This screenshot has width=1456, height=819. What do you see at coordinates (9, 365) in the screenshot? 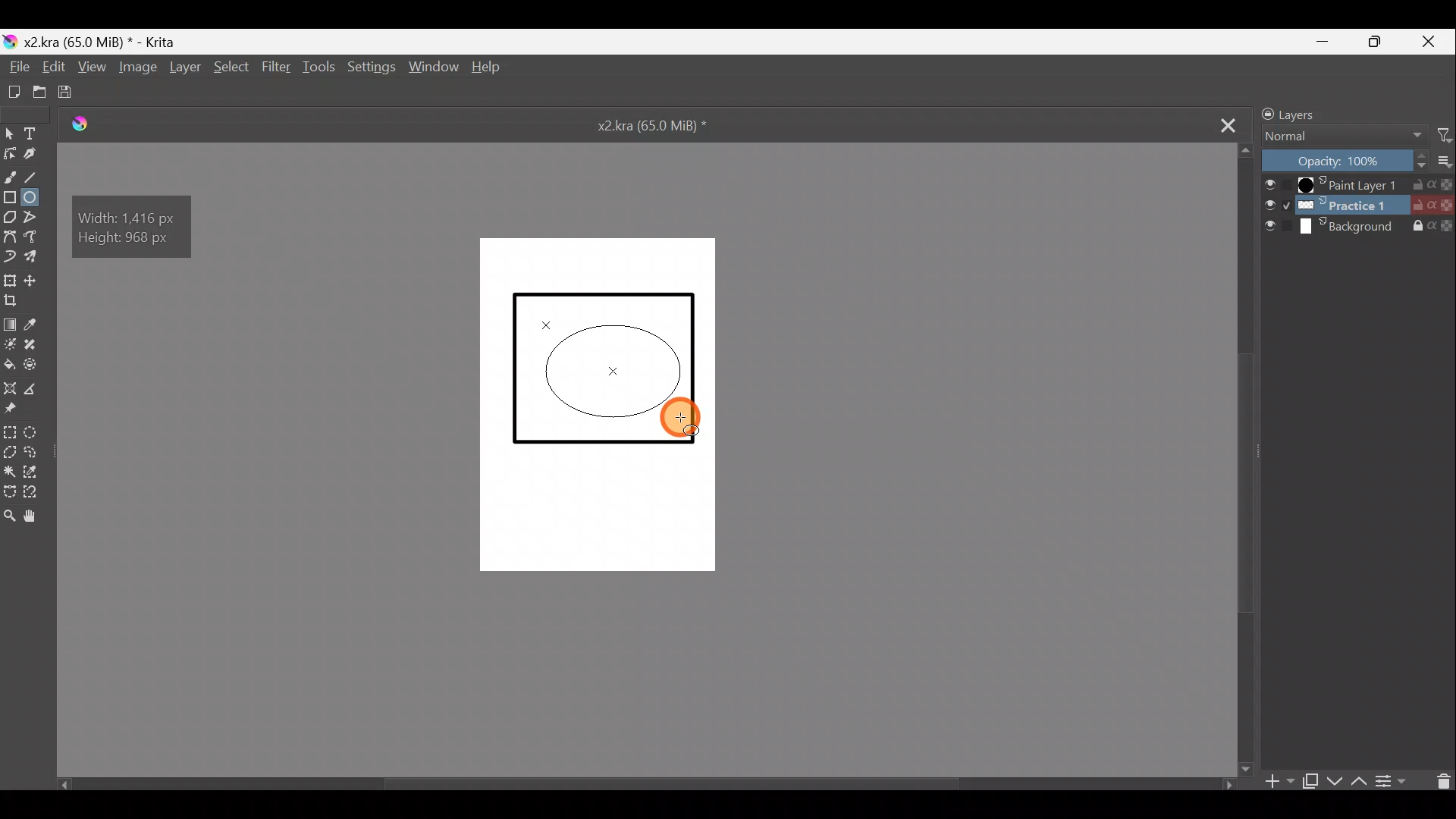
I see `Fill a contiguous area of colour with colour/fill a selection` at bounding box center [9, 365].